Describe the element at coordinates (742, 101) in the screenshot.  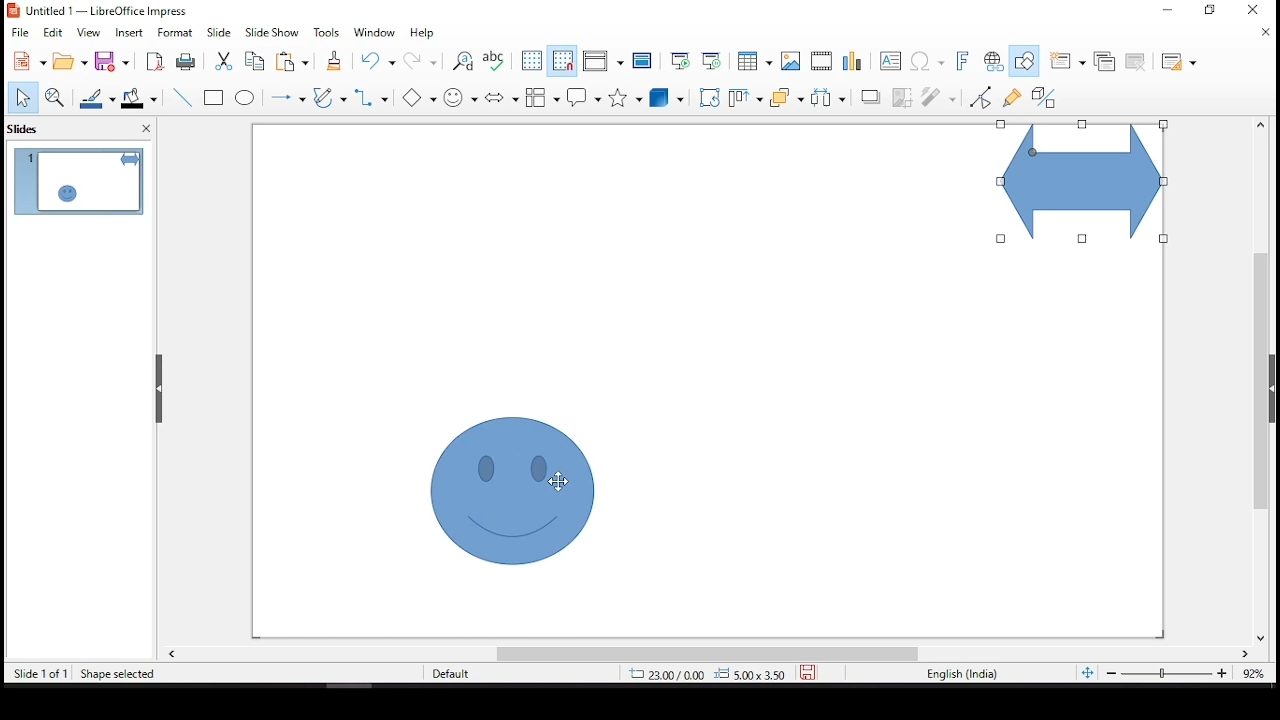
I see `align objects` at that location.